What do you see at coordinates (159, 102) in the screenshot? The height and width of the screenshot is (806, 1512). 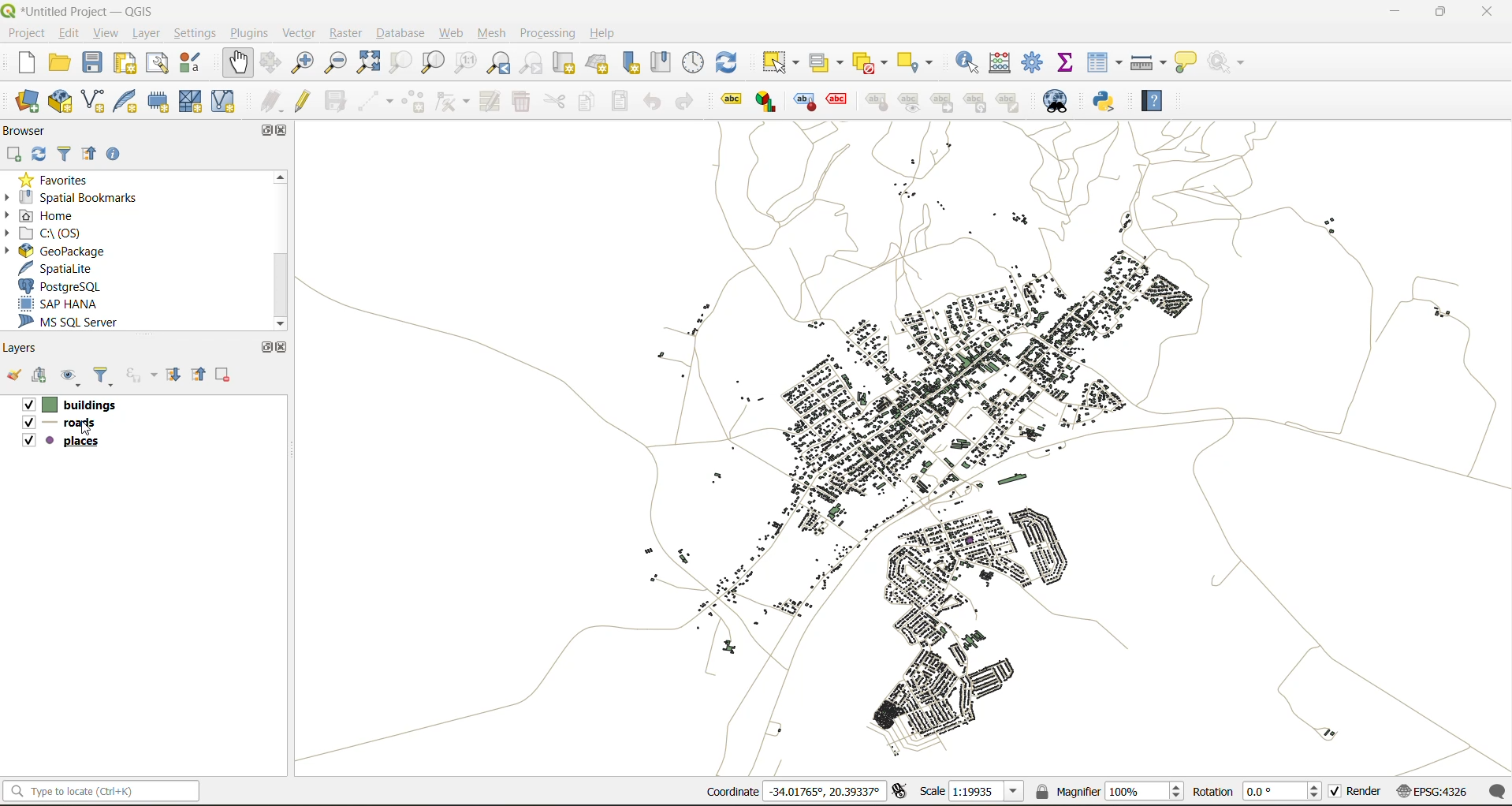 I see `temporary scratch layer` at bounding box center [159, 102].